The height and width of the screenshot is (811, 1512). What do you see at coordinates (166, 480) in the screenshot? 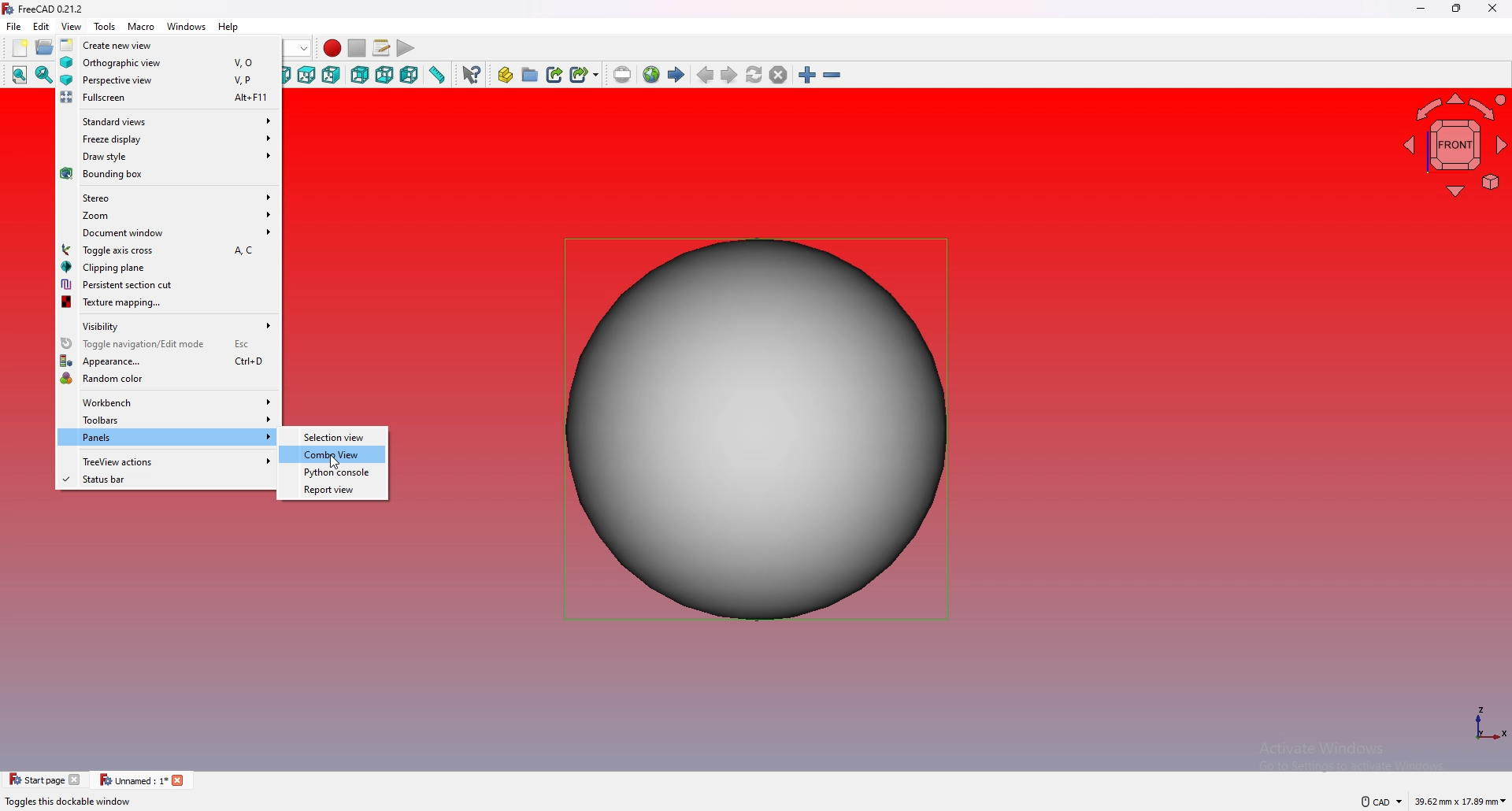
I see `status bar` at bounding box center [166, 480].